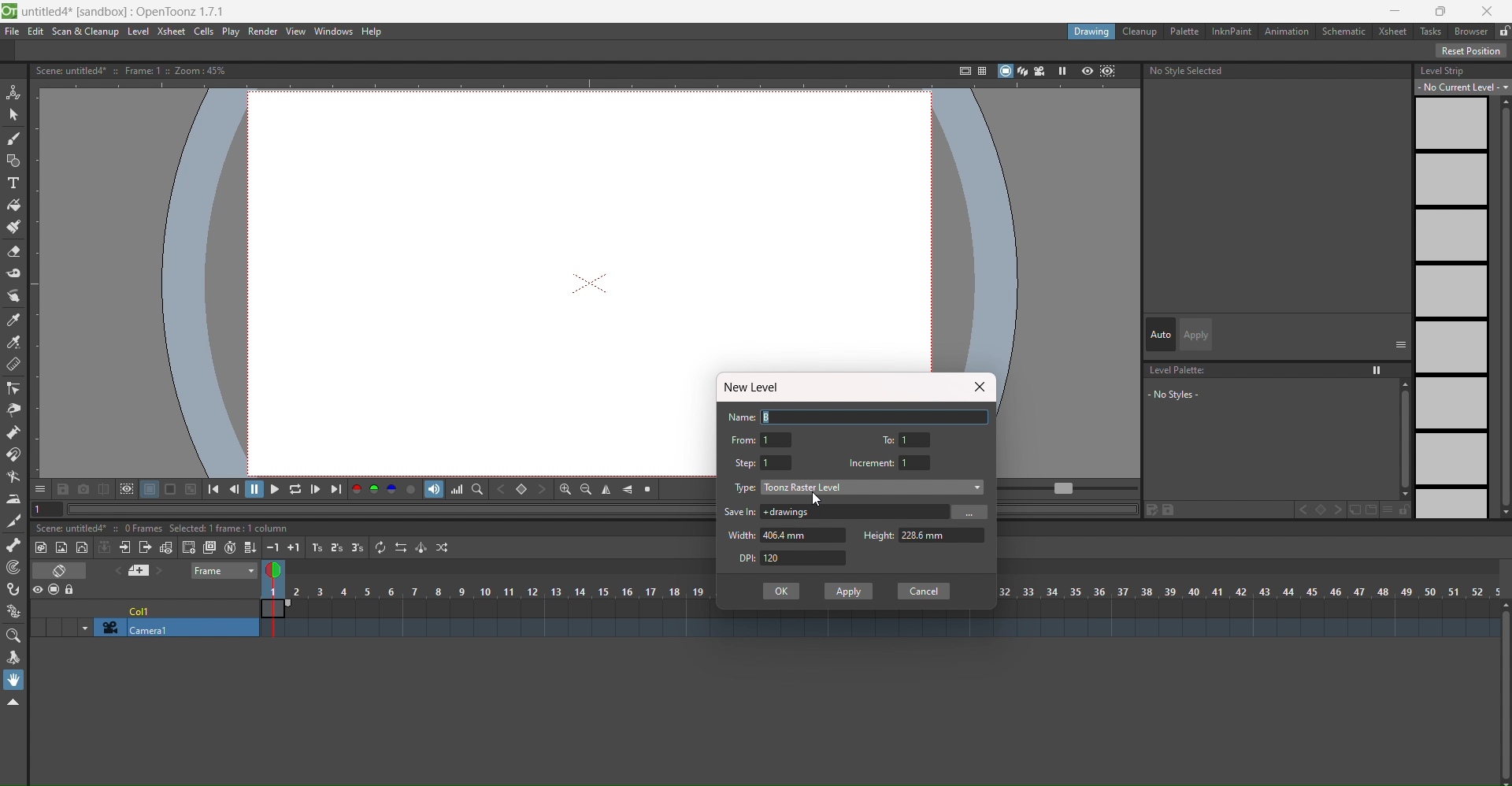 The image size is (1512, 786). Describe the element at coordinates (125, 12) in the screenshot. I see `file name app name and version` at that location.